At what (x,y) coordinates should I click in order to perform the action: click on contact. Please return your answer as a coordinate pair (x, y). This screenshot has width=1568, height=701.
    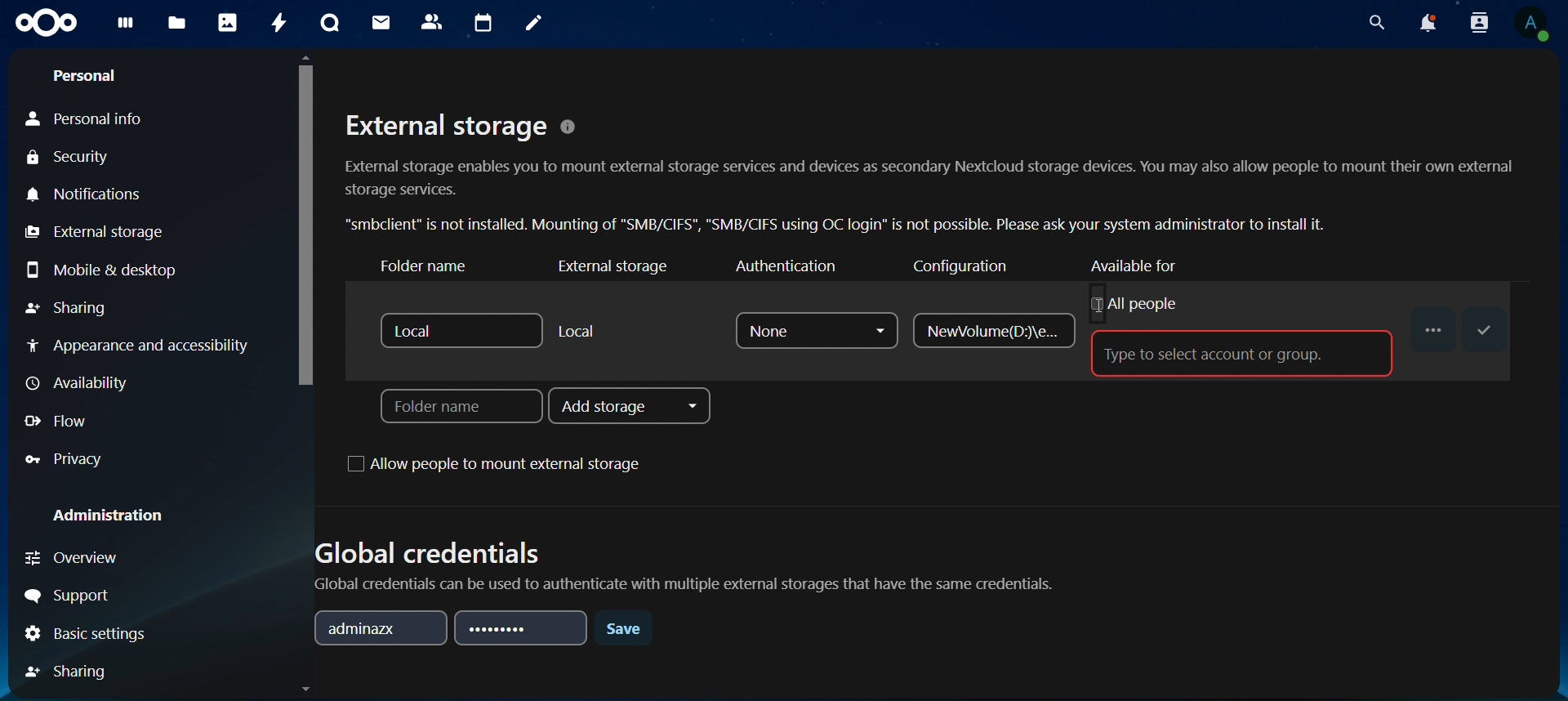
    Looking at the image, I should click on (433, 22).